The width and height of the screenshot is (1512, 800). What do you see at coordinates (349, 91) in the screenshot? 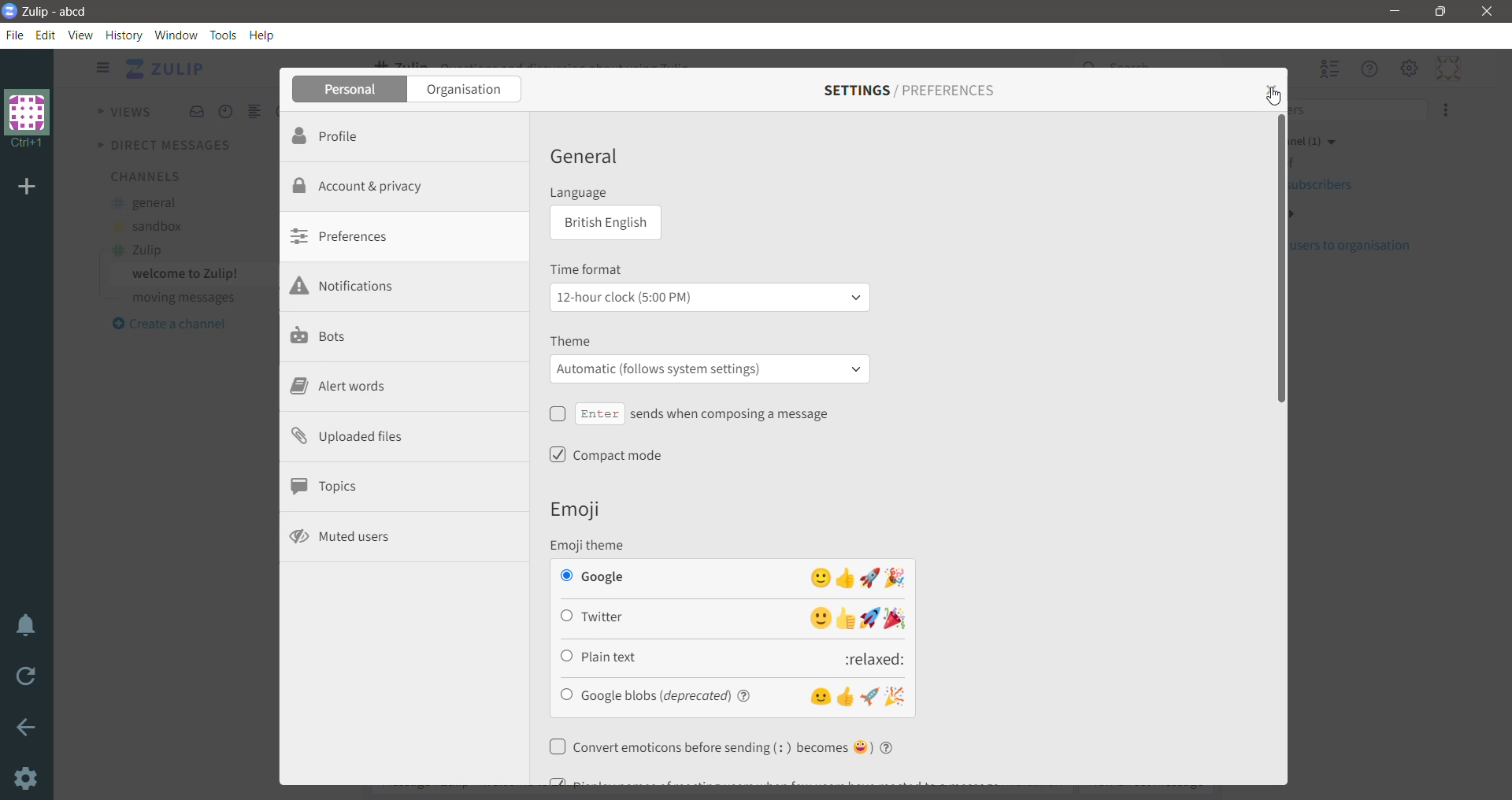
I see `Personal` at bounding box center [349, 91].